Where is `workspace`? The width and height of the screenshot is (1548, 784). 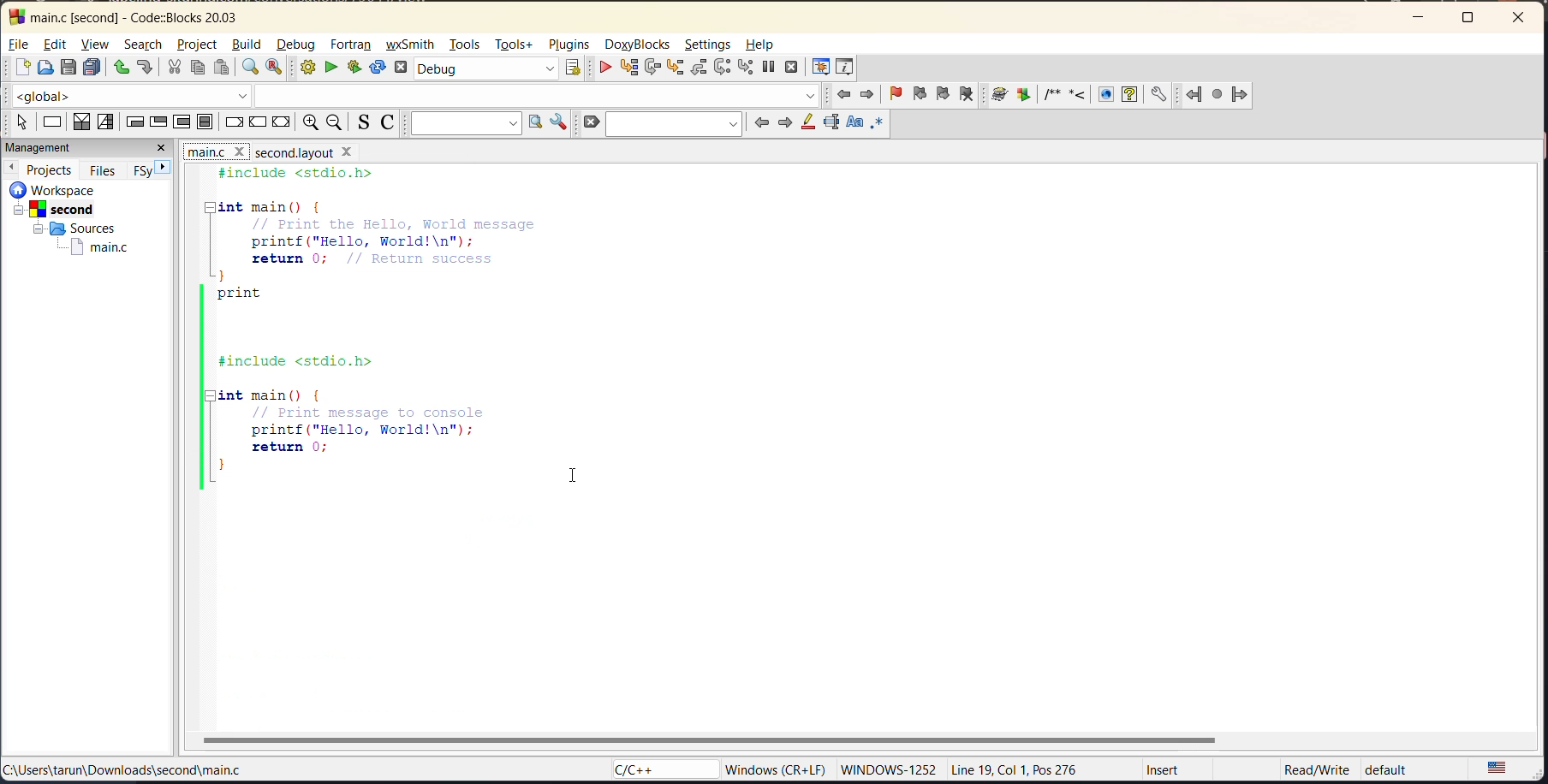
workspace is located at coordinates (54, 192).